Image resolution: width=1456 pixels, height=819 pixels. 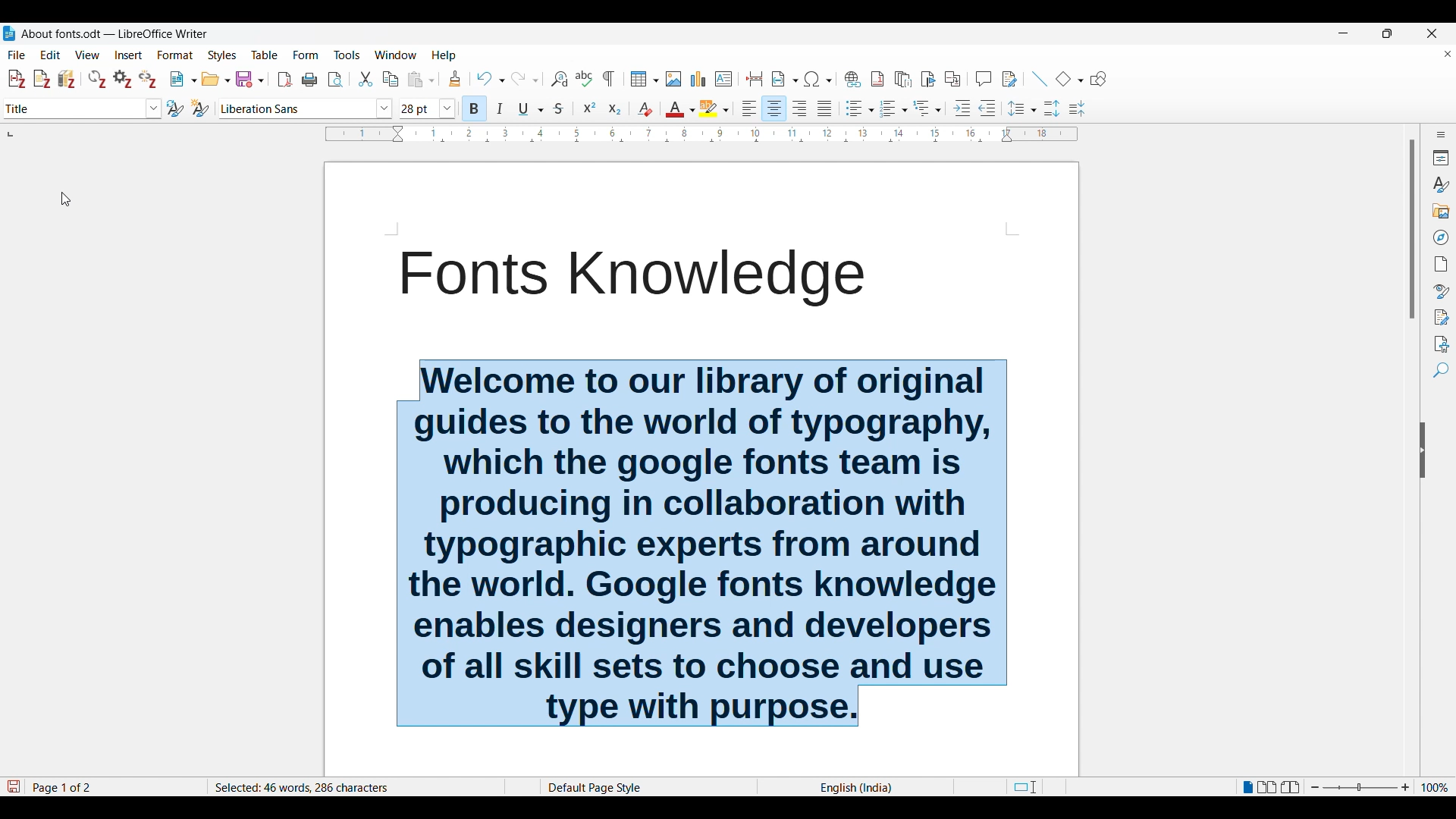 What do you see at coordinates (1070, 78) in the screenshot?
I see `Basic shape options` at bounding box center [1070, 78].